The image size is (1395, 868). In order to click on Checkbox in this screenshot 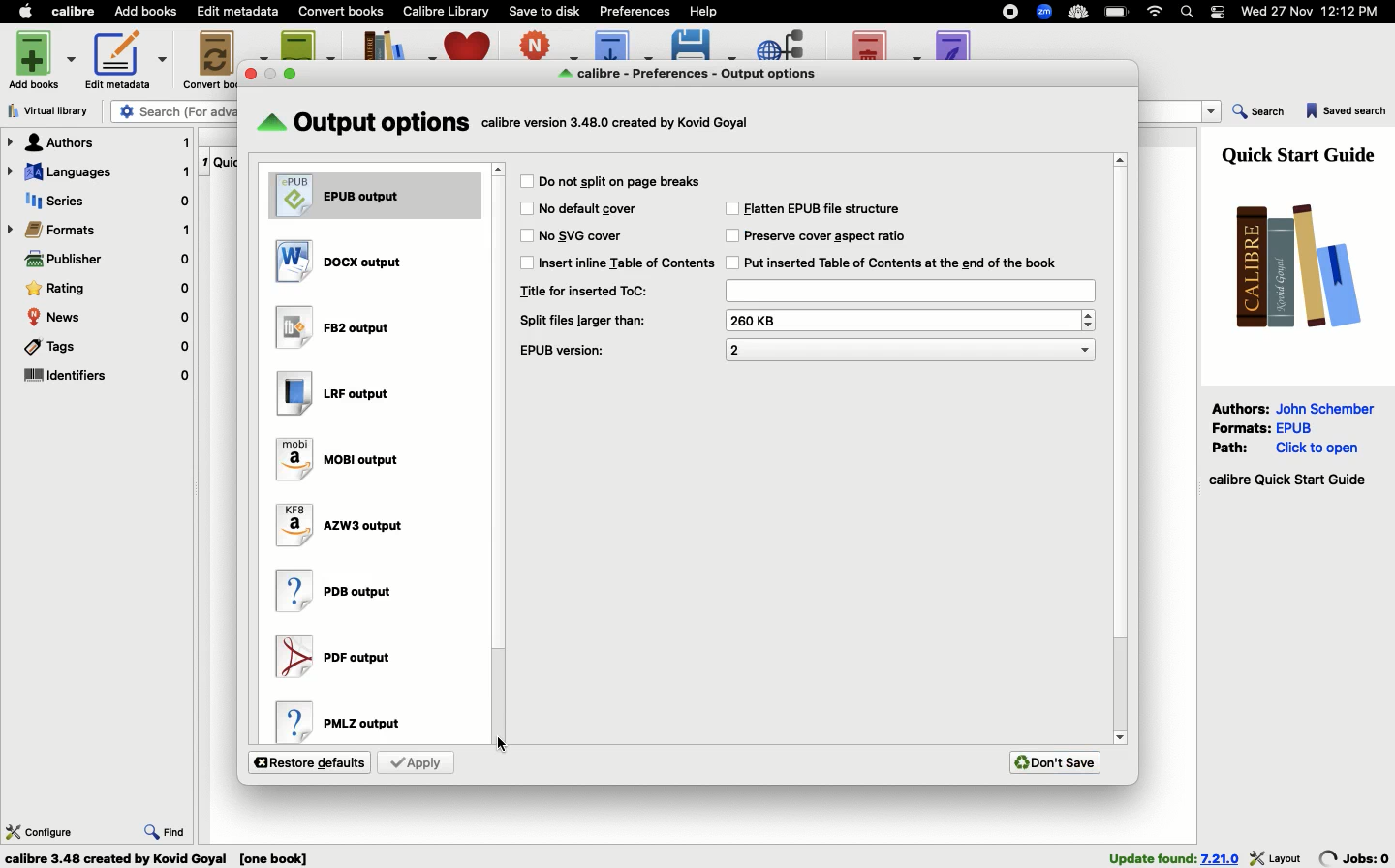, I will do `click(526, 263)`.